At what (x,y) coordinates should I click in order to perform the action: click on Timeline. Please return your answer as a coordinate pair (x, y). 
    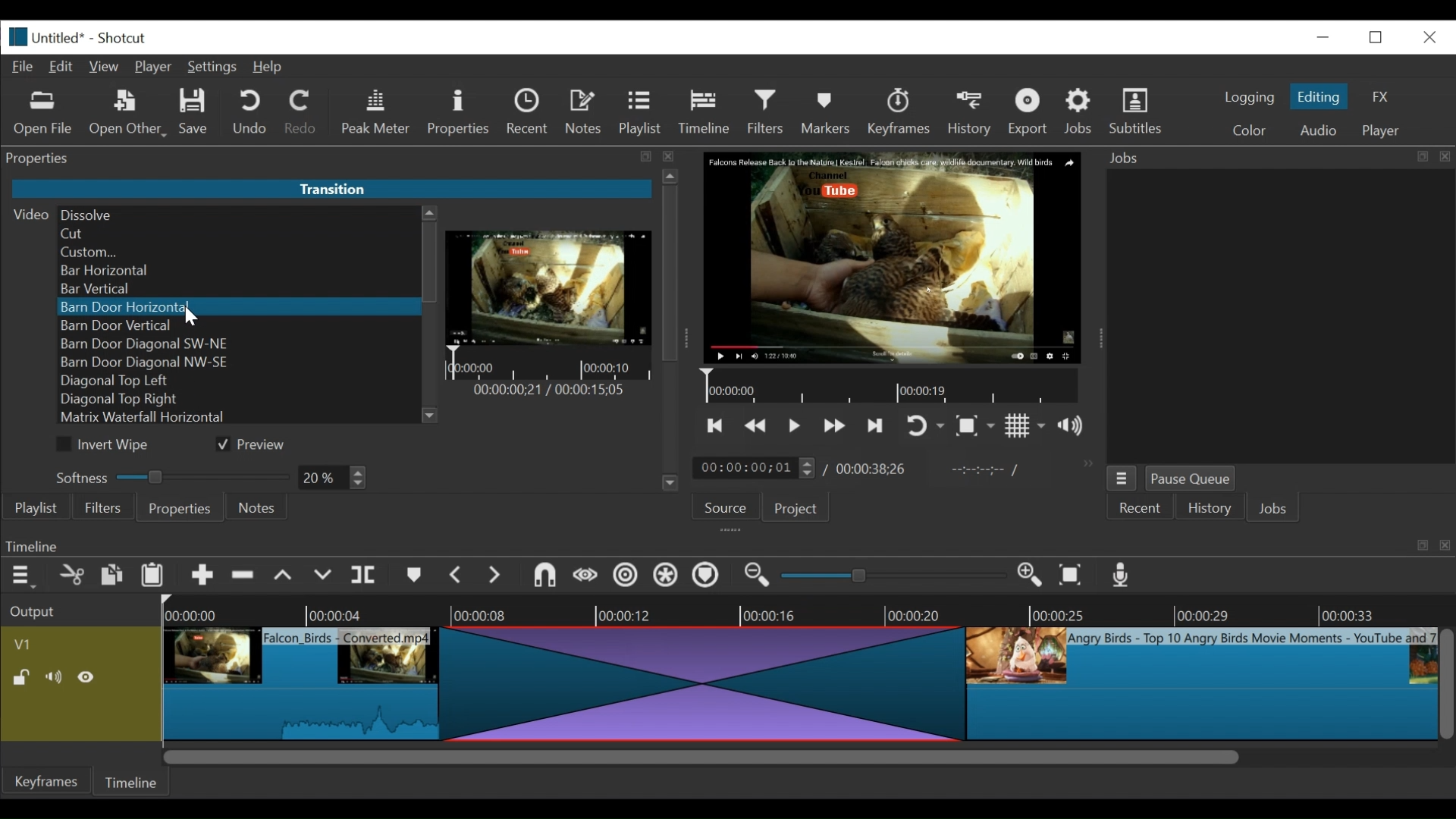
    Looking at the image, I should click on (545, 362).